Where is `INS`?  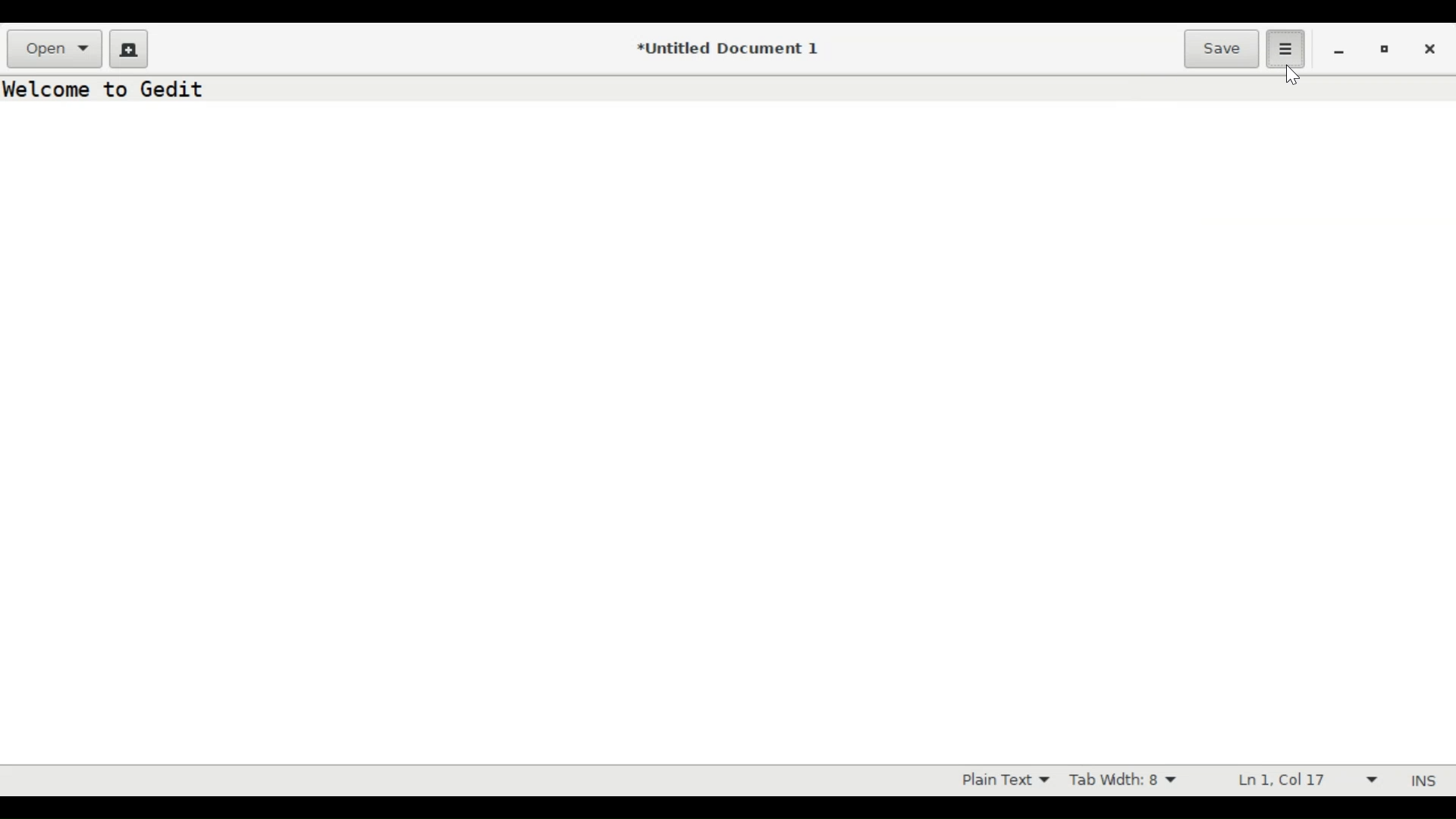
INS is located at coordinates (1420, 780).